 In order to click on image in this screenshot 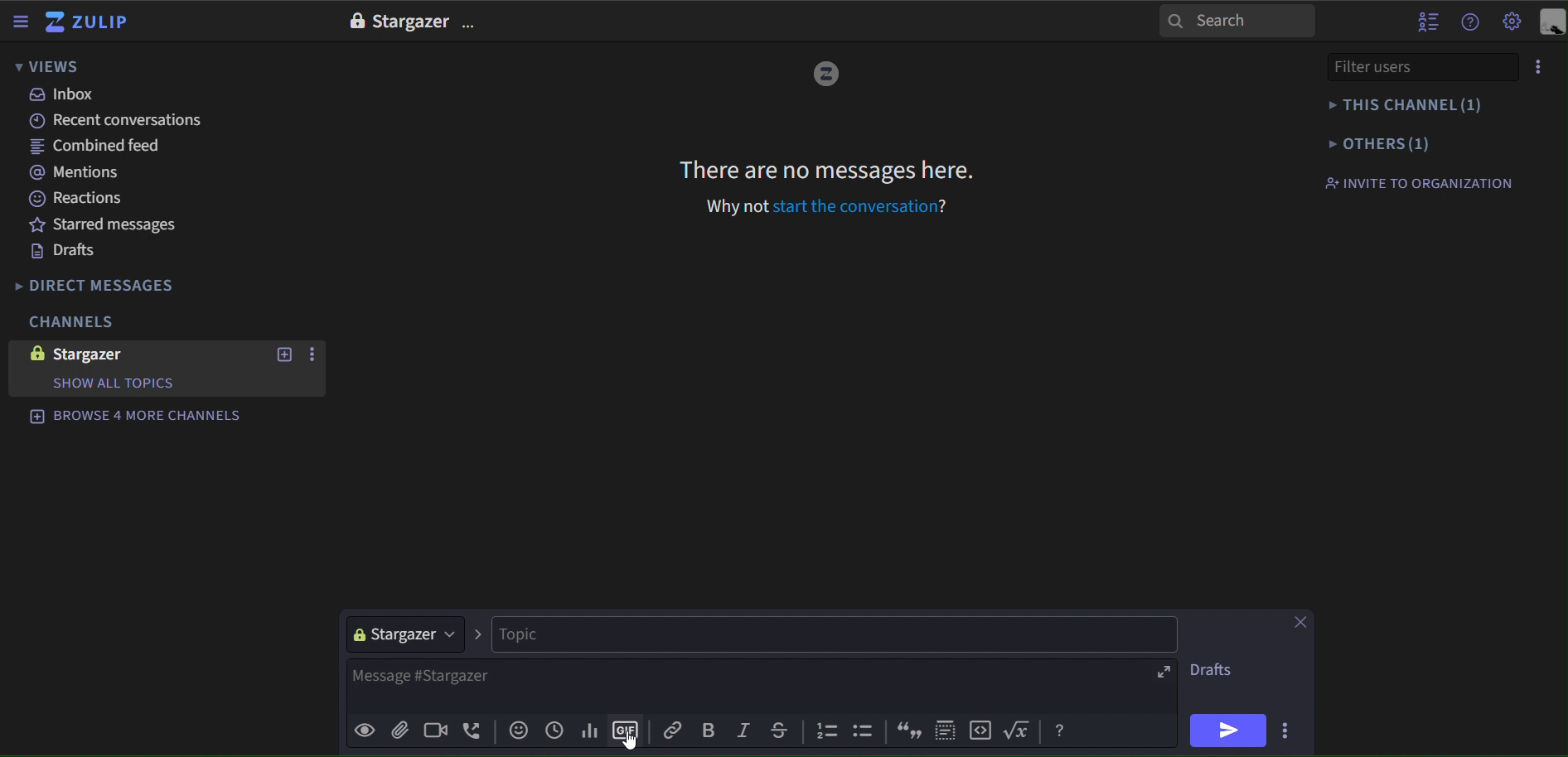, I will do `click(33, 353)`.